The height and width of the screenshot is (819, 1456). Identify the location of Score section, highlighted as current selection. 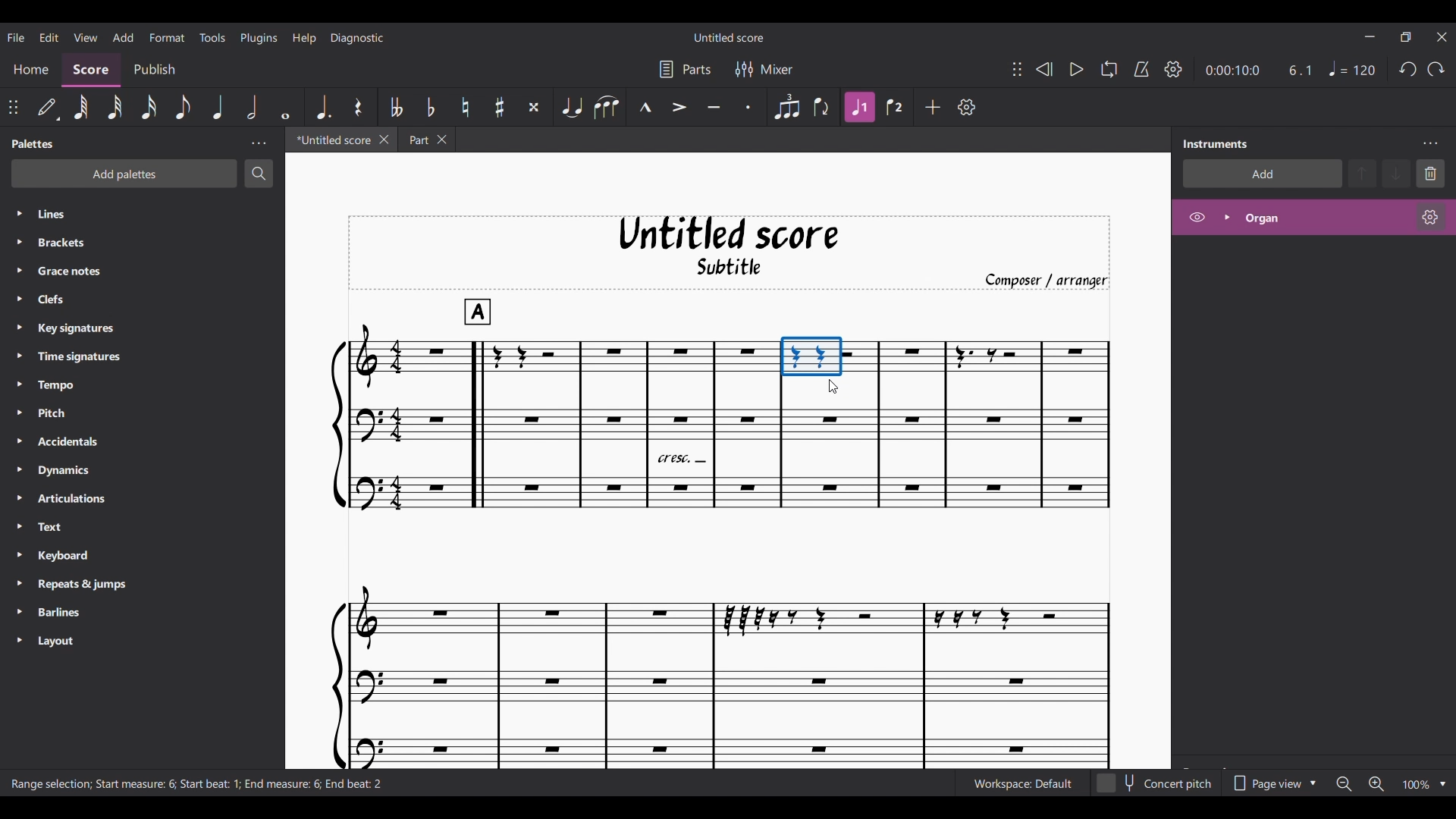
(90, 70).